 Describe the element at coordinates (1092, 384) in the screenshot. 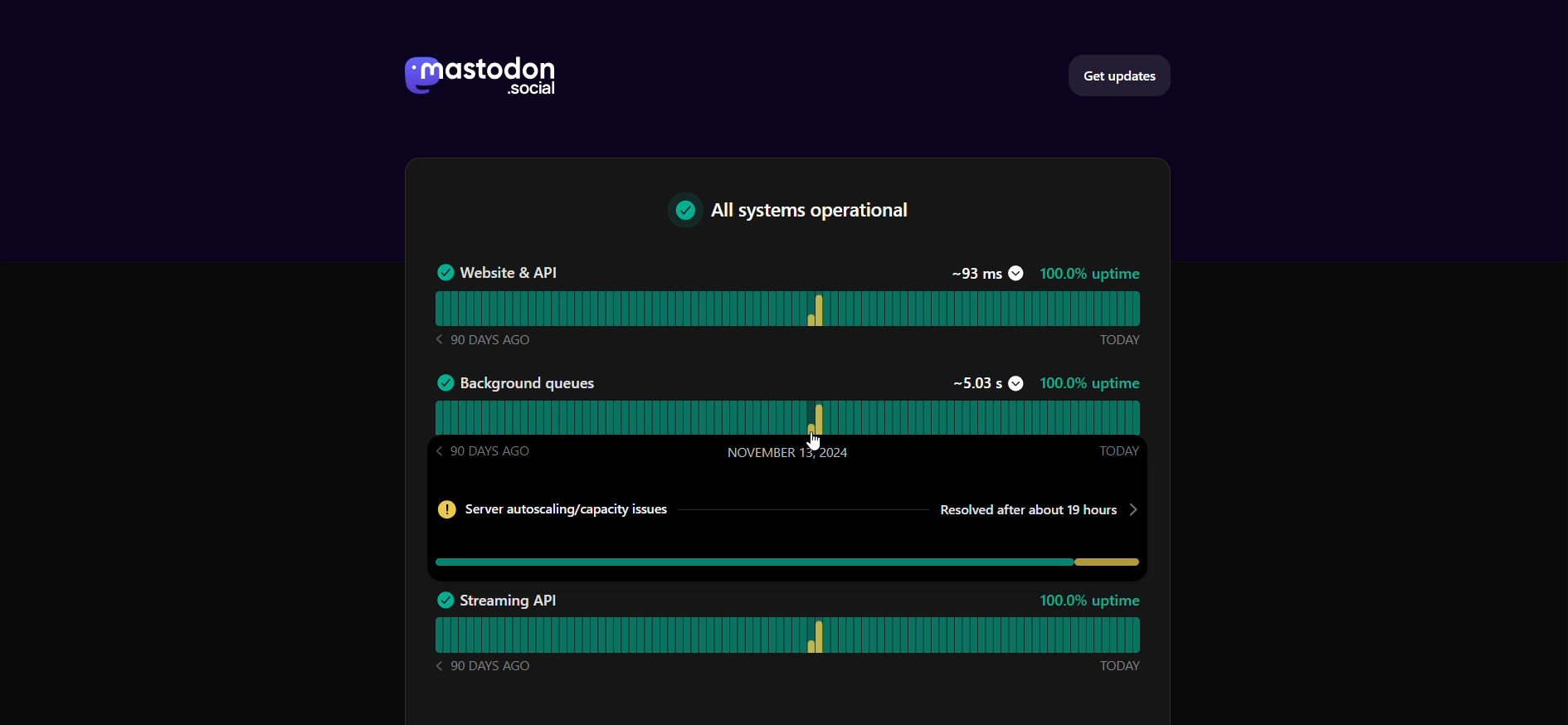

I see `100%` at that location.